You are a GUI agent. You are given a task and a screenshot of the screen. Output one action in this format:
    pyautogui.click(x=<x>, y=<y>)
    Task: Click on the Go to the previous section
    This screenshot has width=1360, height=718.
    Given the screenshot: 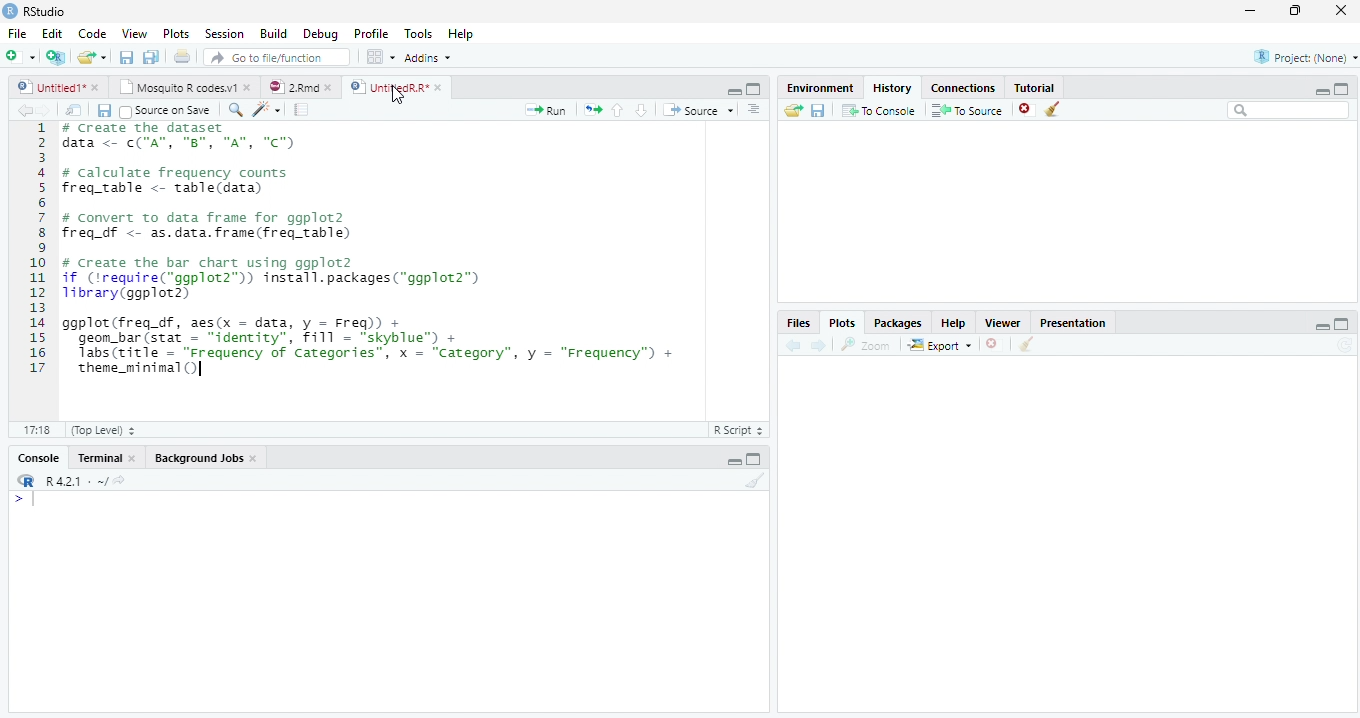 What is the action you would take?
    pyautogui.click(x=617, y=109)
    